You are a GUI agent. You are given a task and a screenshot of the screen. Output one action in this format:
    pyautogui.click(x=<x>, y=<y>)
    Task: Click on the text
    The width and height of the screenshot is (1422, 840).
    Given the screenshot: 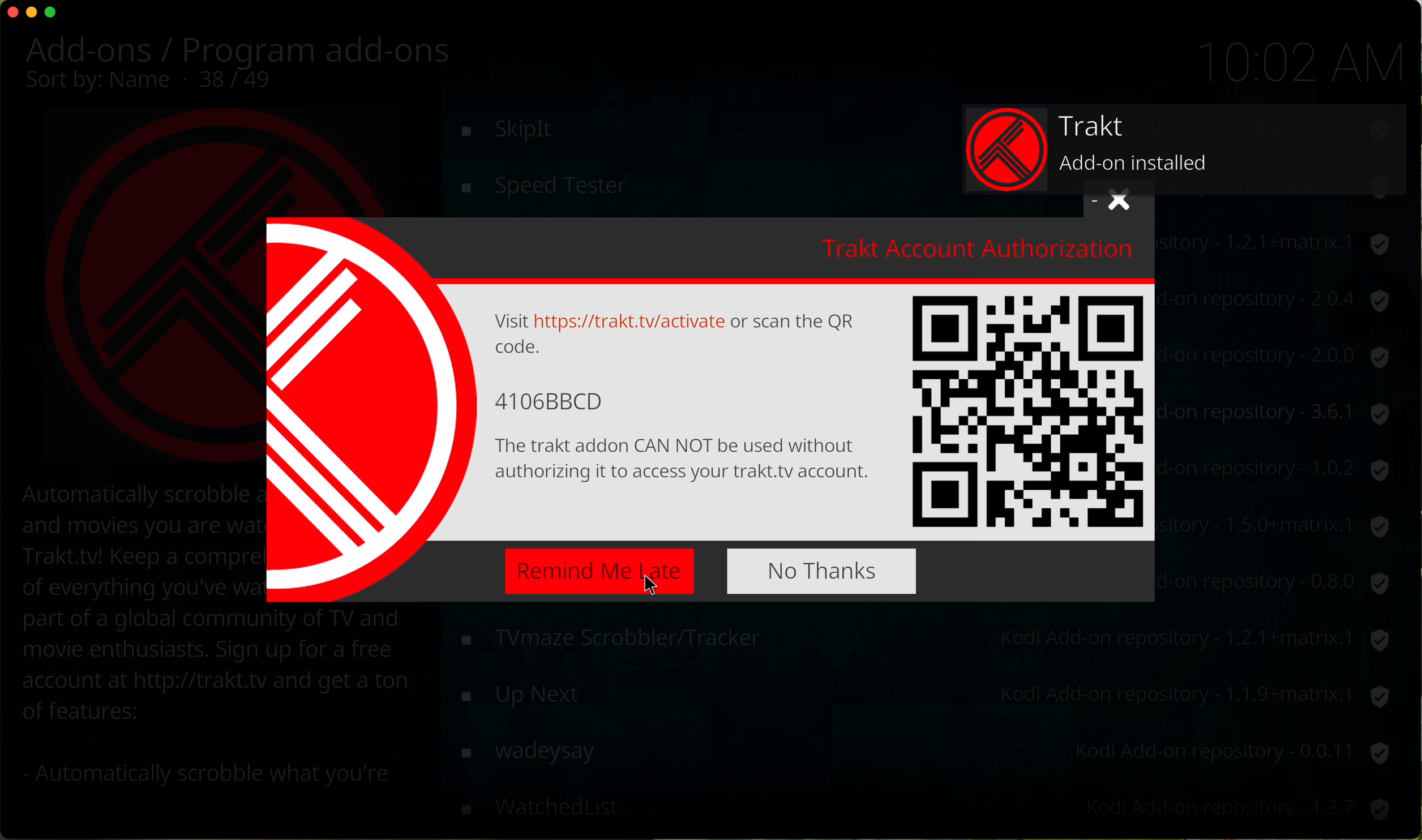 What is the action you would take?
    pyautogui.click(x=685, y=460)
    